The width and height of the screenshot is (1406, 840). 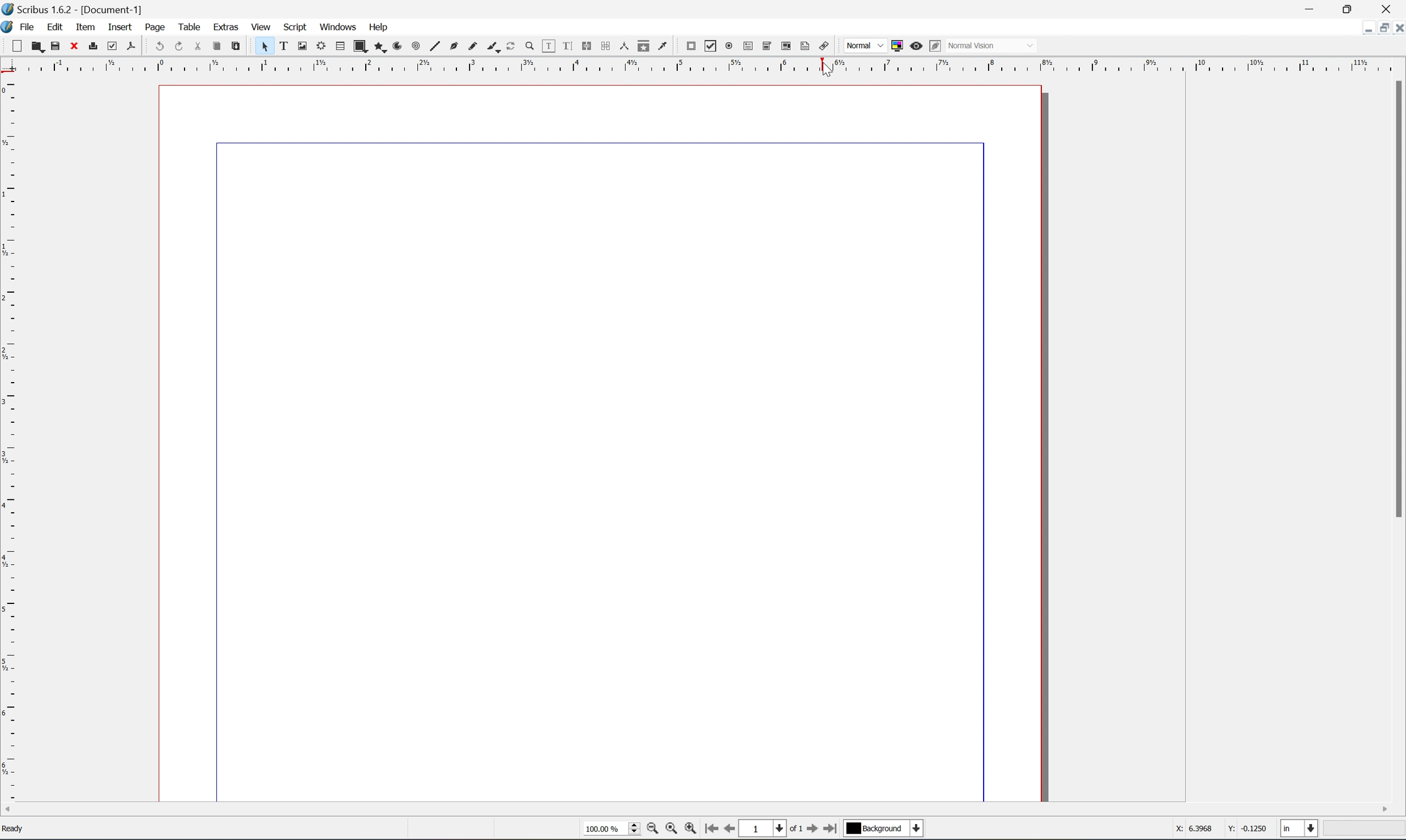 I want to click on render frame, so click(x=322, y=46).